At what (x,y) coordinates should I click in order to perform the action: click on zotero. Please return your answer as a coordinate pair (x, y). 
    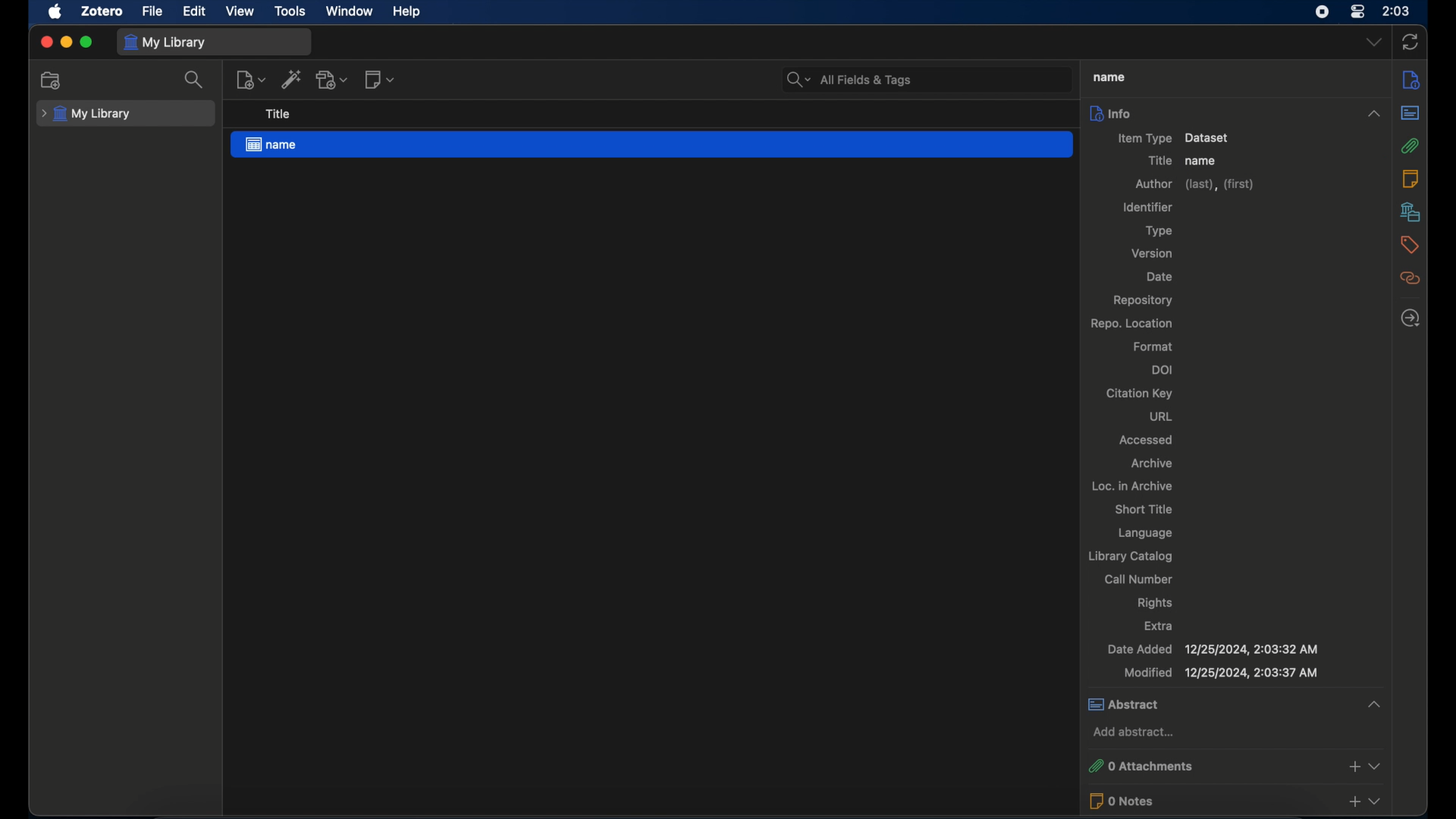
    Looking at the image, I should click on (102, 11).